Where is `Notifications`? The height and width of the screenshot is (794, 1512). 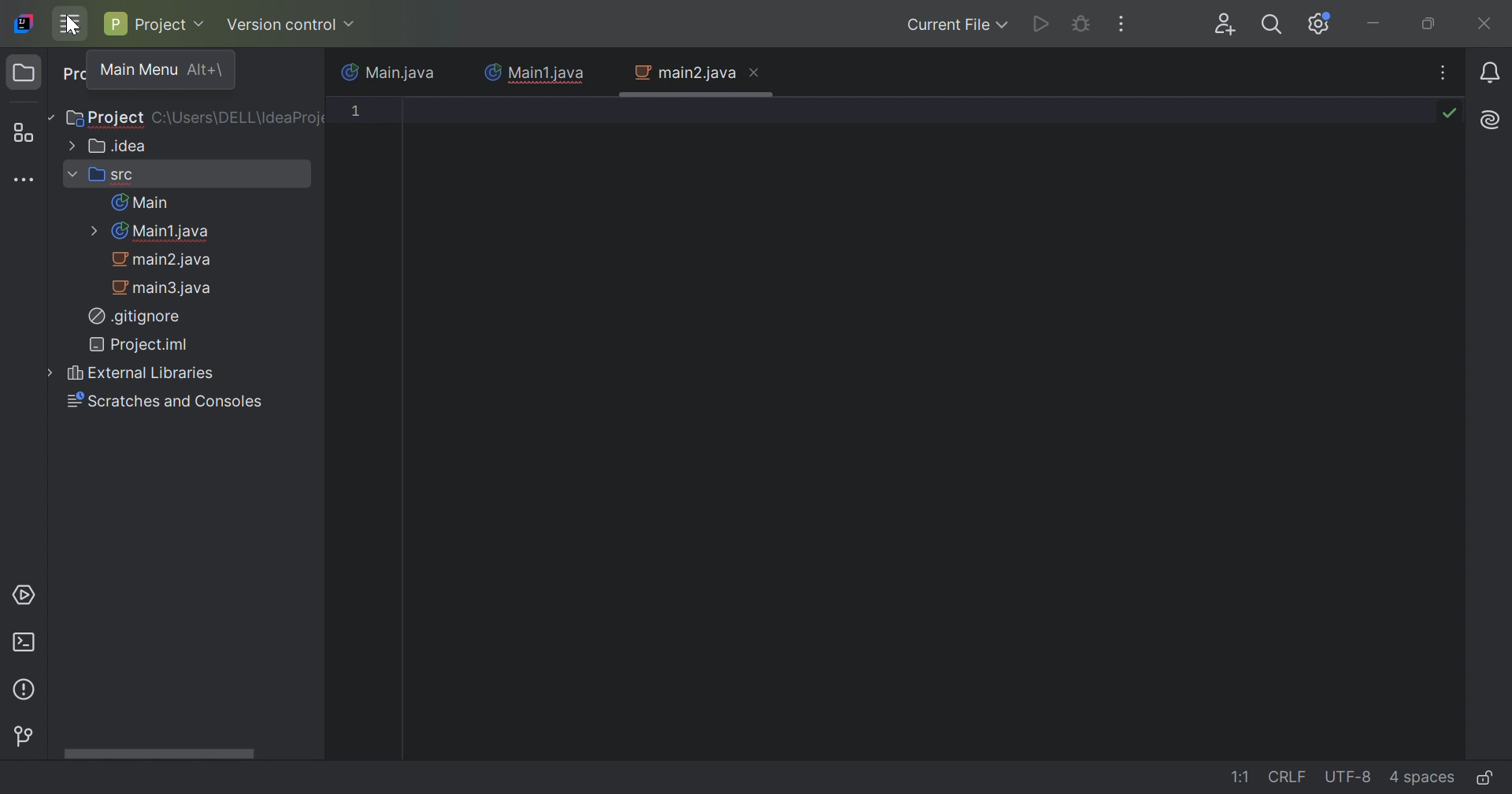
Notifications is located at coordinates (1489, 74).